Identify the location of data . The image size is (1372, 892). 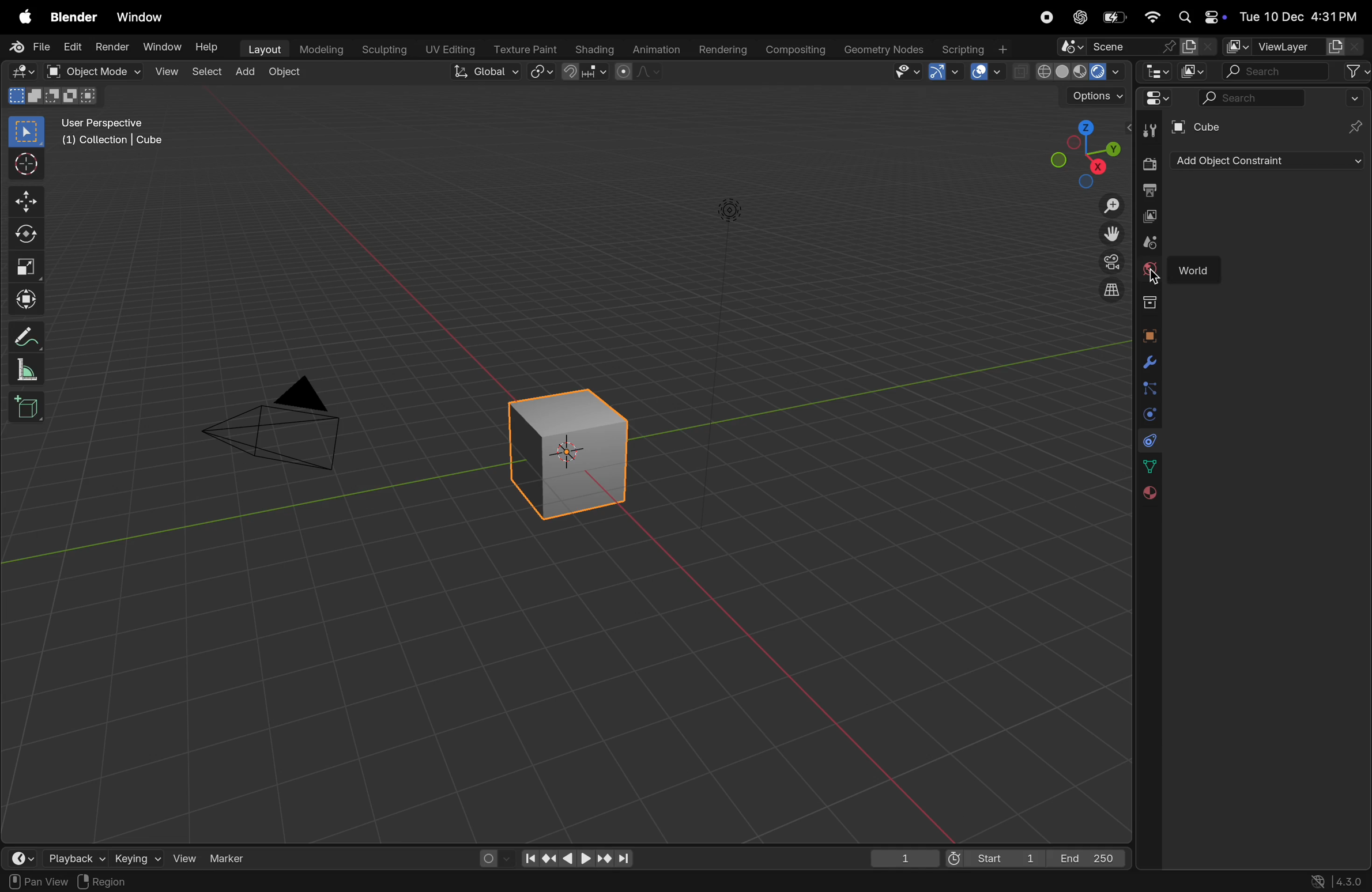
(1147, 466).